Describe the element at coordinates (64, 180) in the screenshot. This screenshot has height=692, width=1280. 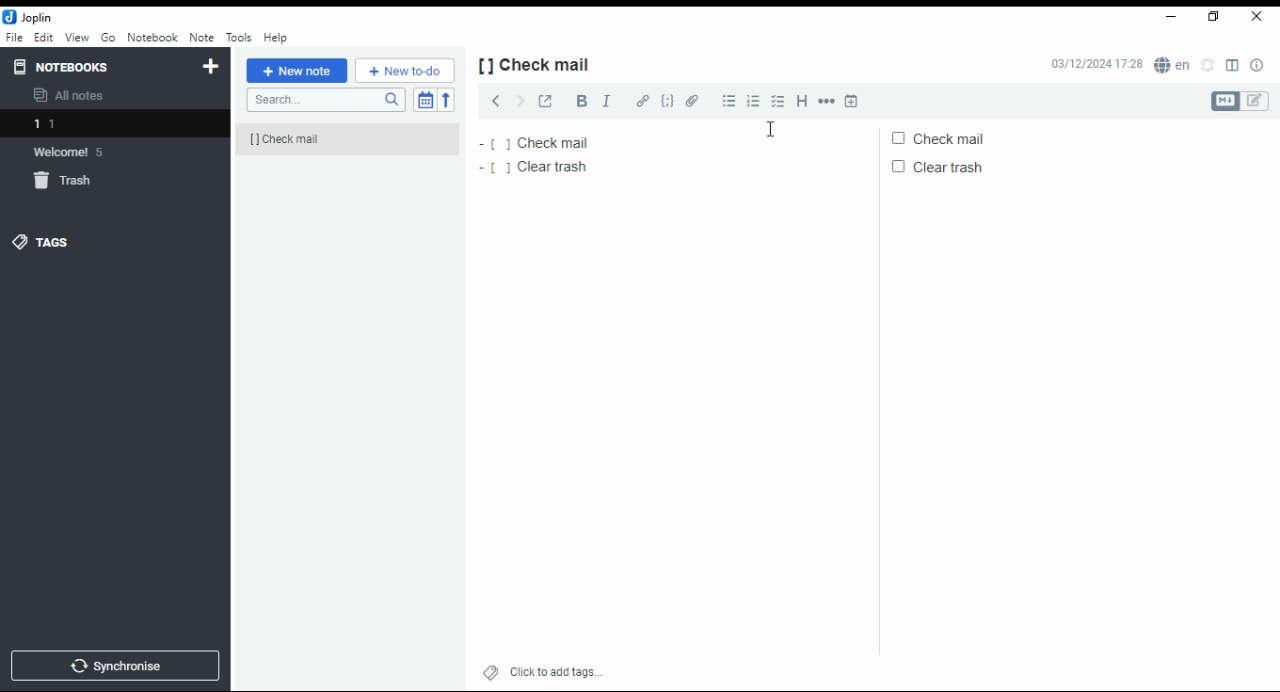
I see `trash` at that location.